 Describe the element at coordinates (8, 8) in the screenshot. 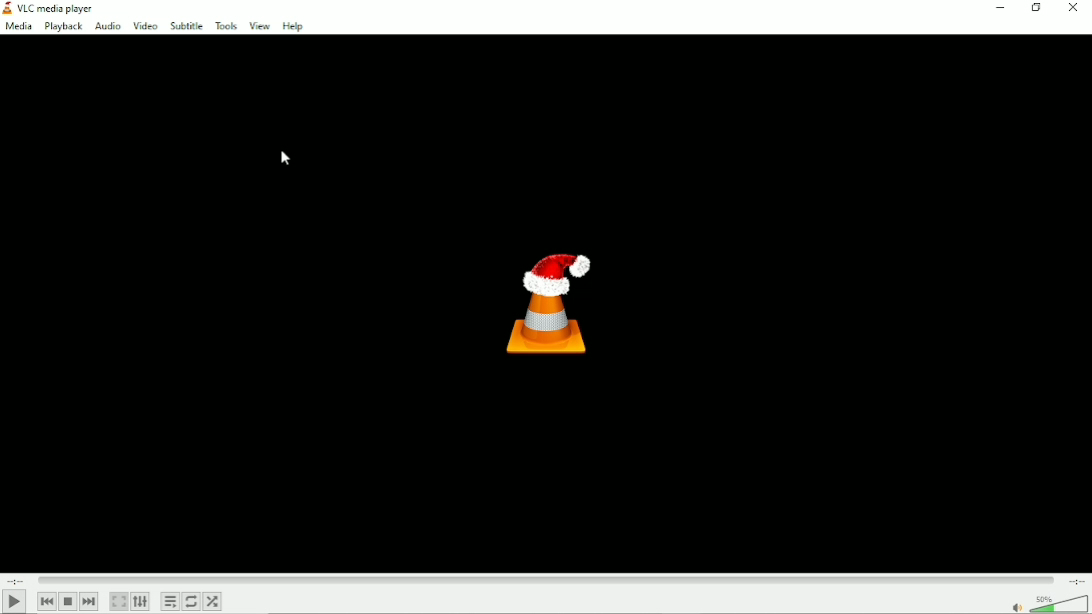

I see `vlc logo` at that location.